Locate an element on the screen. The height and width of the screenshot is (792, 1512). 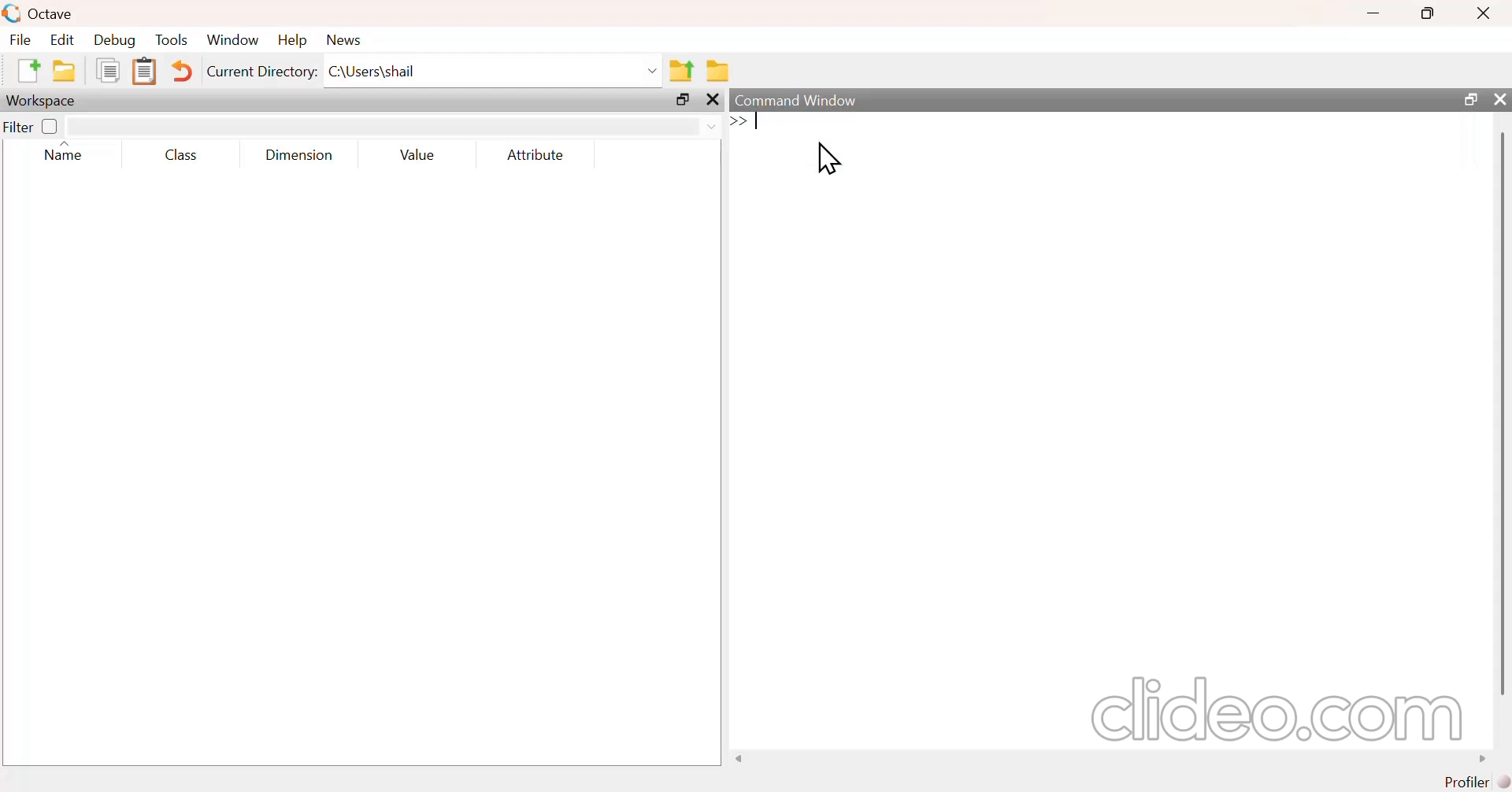
filter input field is located at coordinates (395, 125).